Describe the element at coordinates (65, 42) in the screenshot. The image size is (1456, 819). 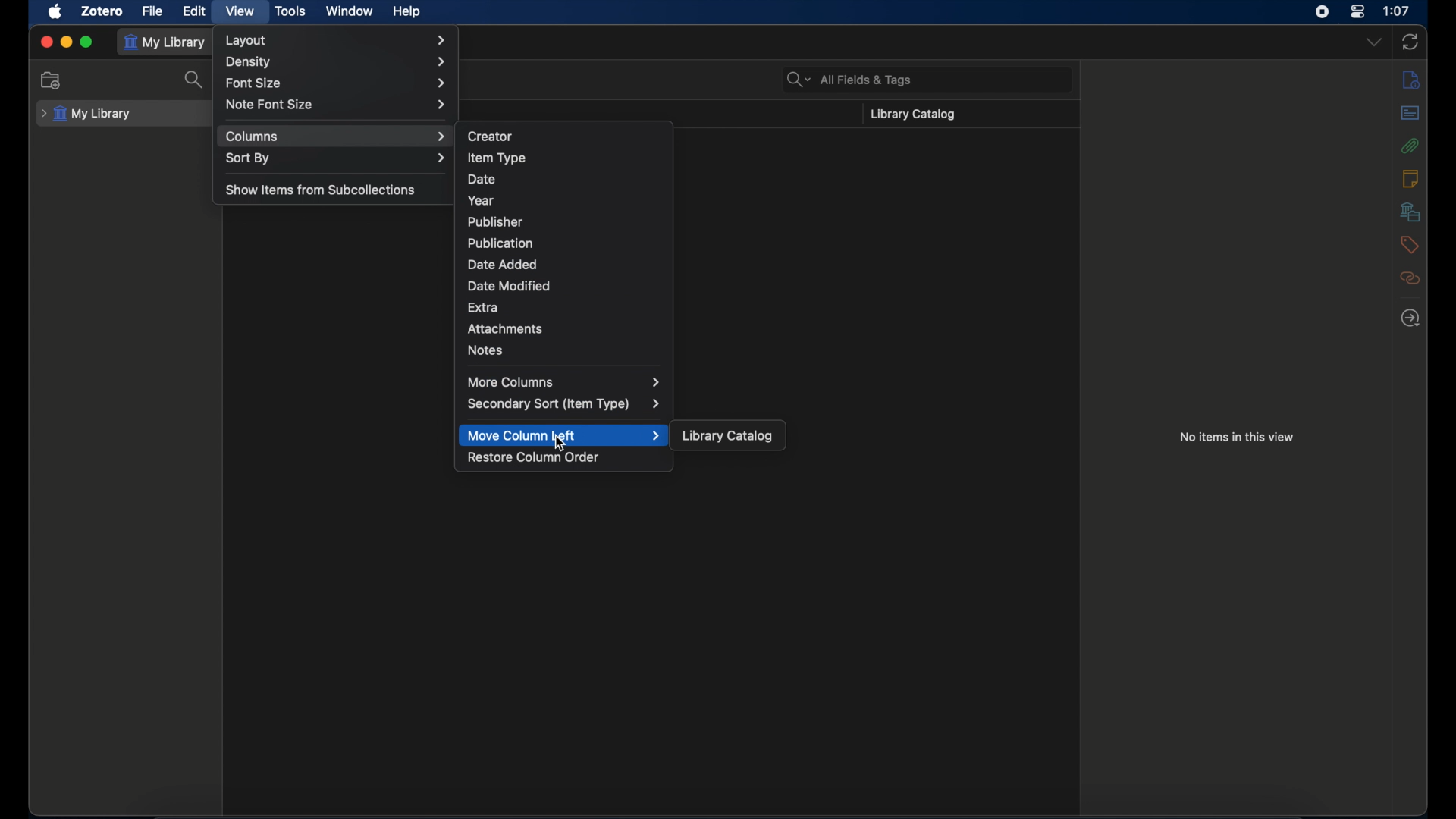
I see `minimize` at that location.